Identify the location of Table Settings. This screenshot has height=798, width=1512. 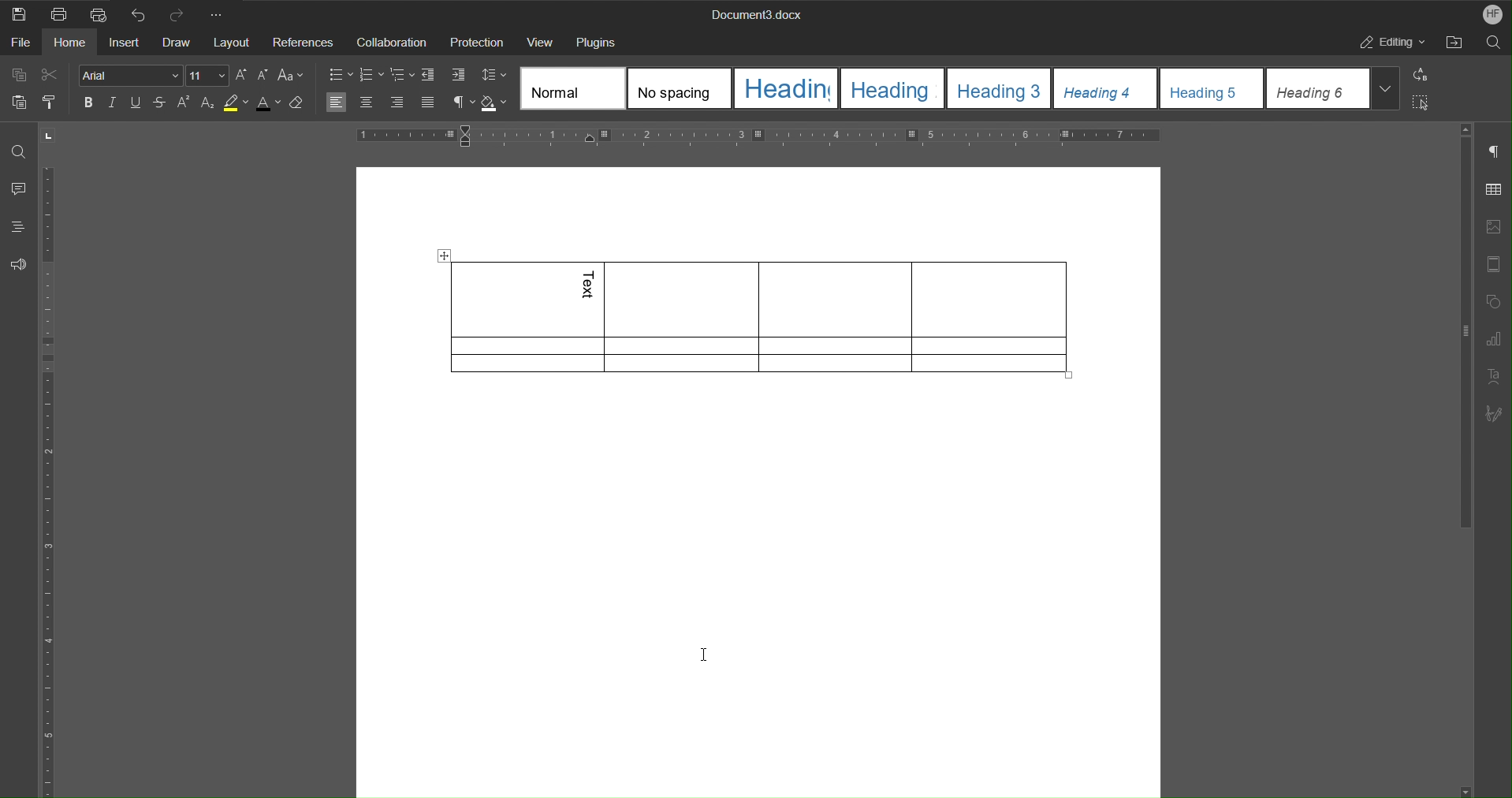
(1495, 188).